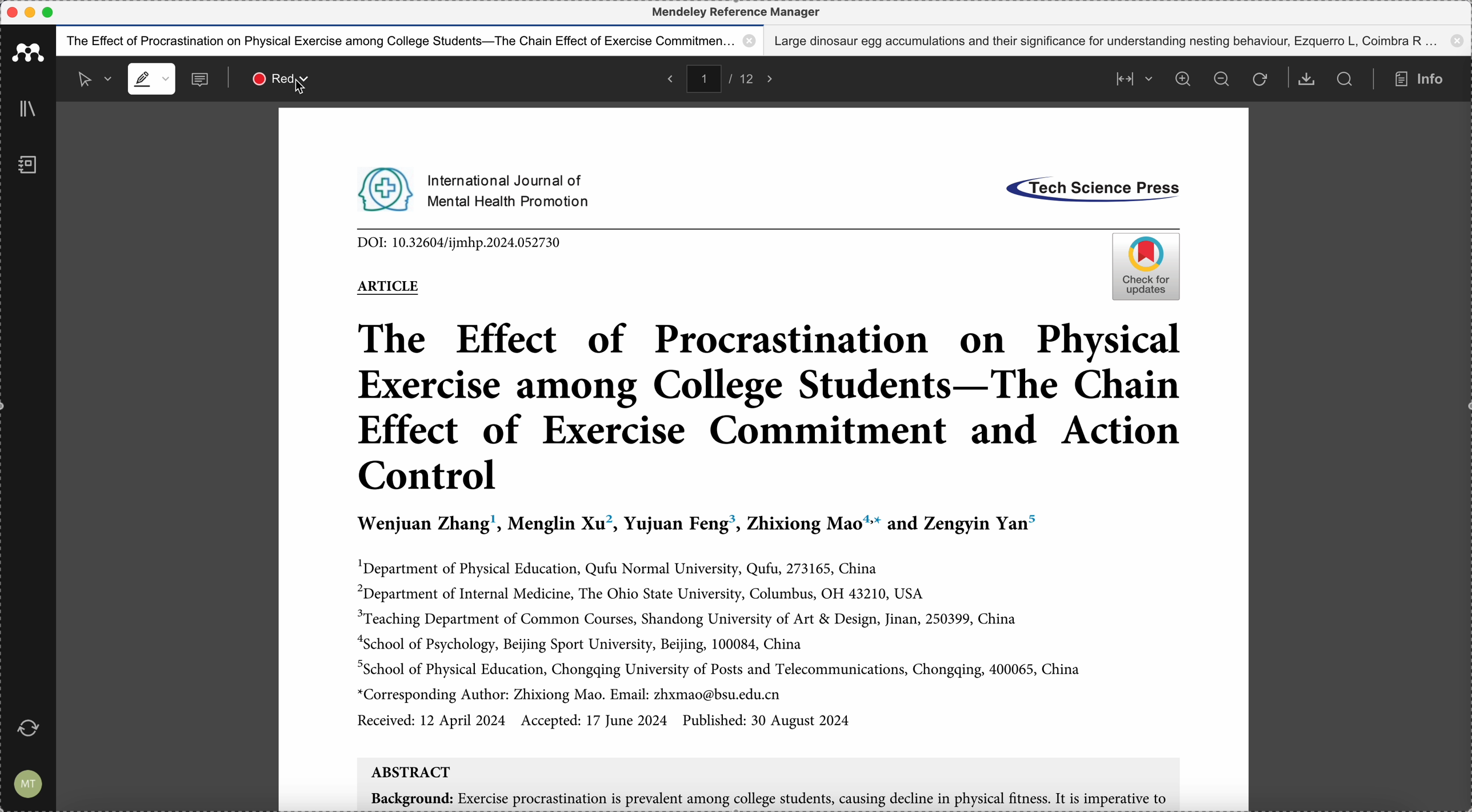  I want to click on Mendeley, so click(736, 12).